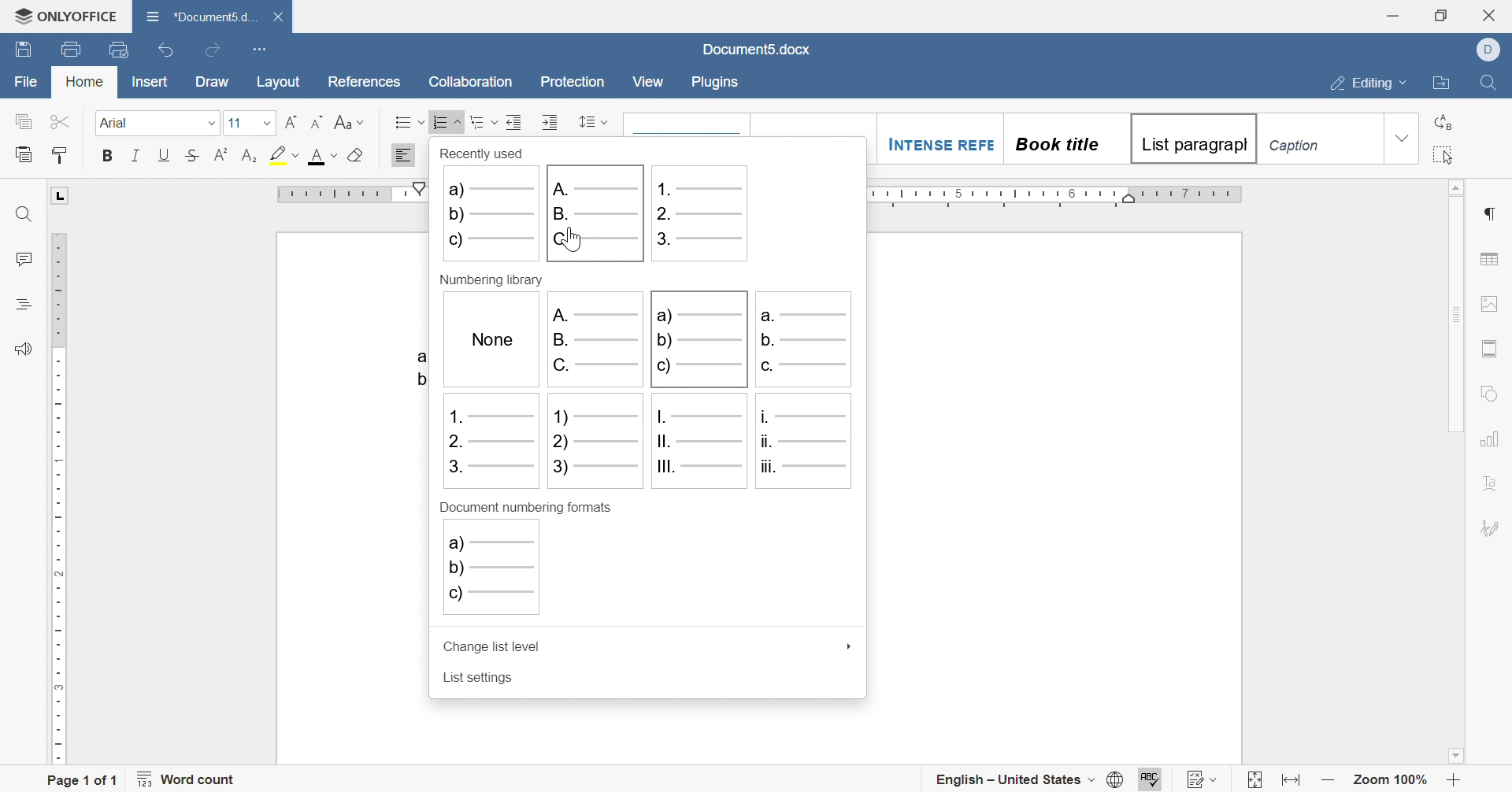 The width and height of the screenshot is (1512, 792). What do you see at coordinates (261, 49) in the screenshot?
I see `customize quick access toolbar` at bounding box center [261, 49].